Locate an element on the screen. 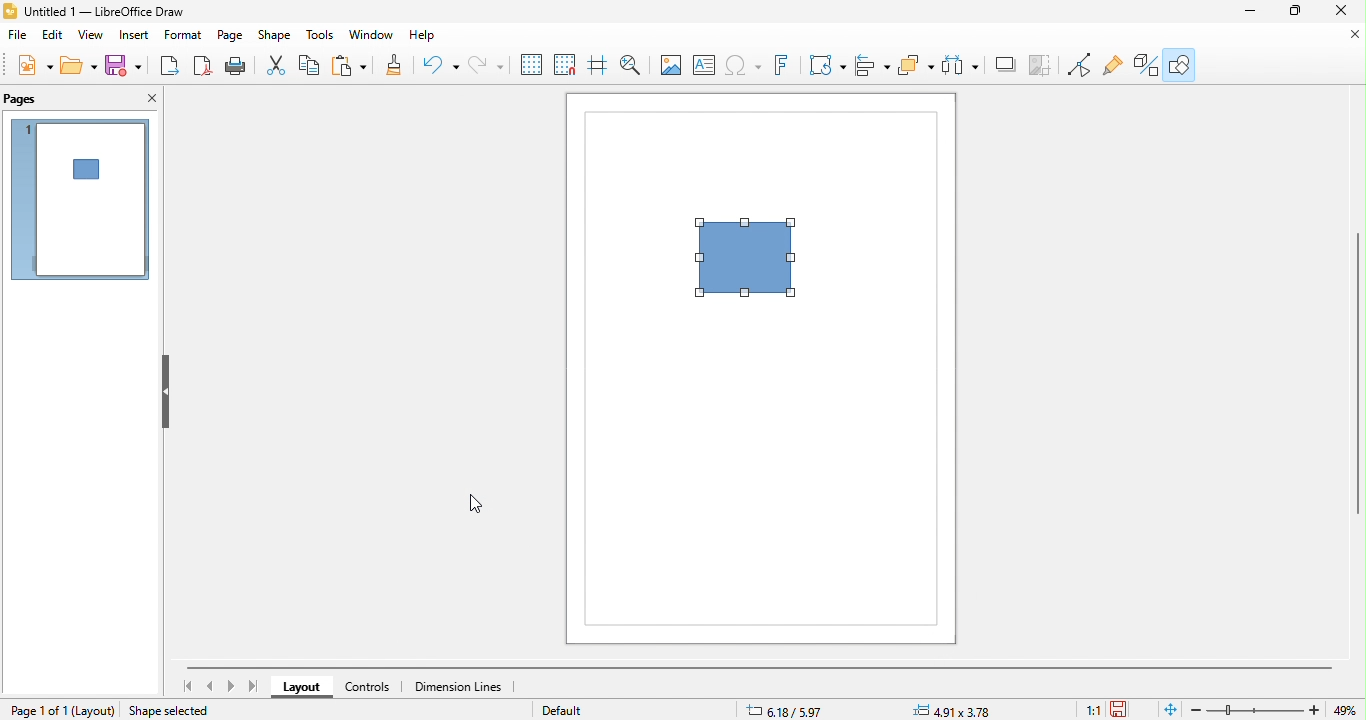 This screenshot has height=720, width=1366. export is located at coordinates (167, 66).